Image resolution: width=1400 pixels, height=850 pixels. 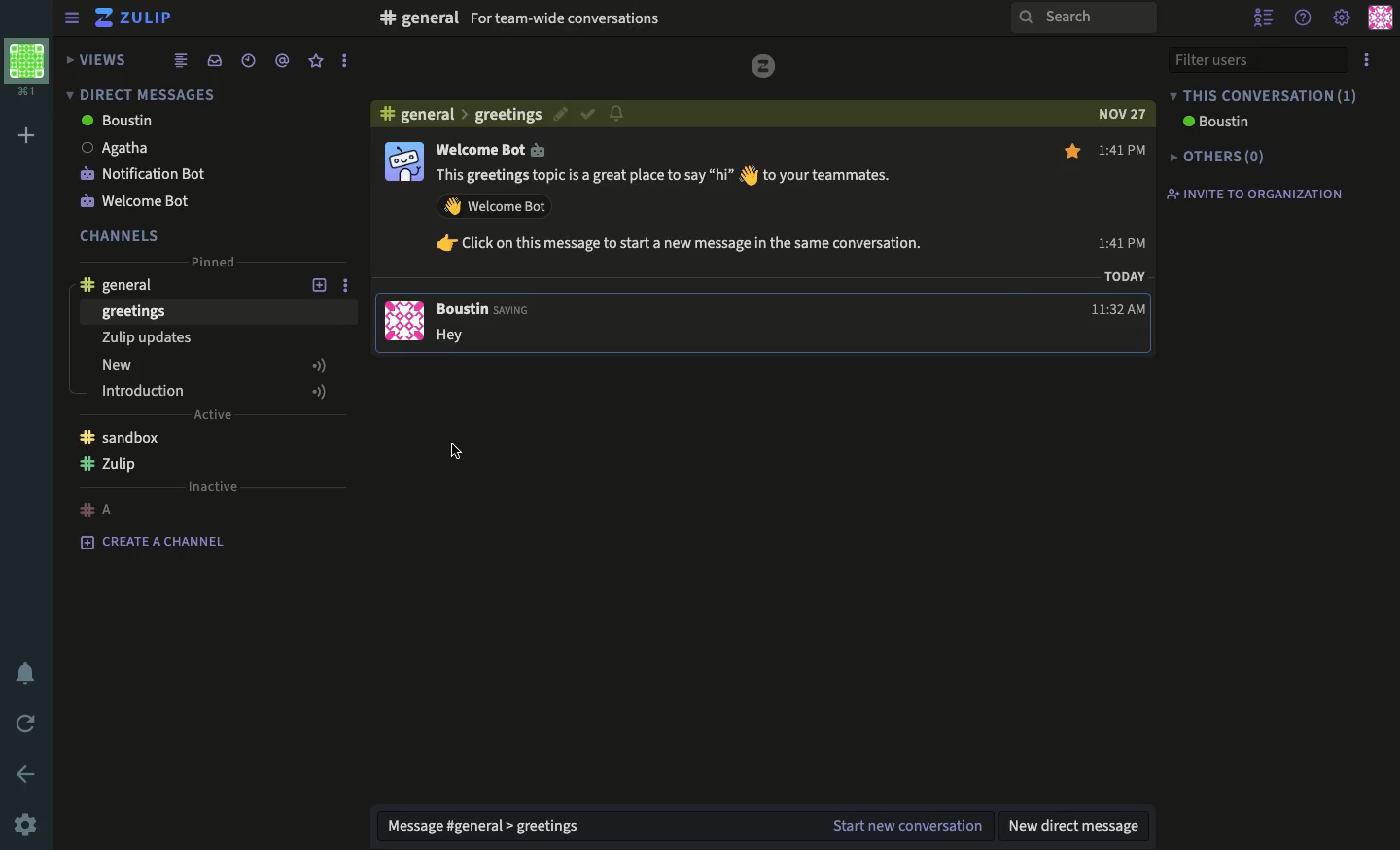 What do you see at coordinates (23, 722) in the screenshot?
I see `refresh` at bounding box center [23, 722].